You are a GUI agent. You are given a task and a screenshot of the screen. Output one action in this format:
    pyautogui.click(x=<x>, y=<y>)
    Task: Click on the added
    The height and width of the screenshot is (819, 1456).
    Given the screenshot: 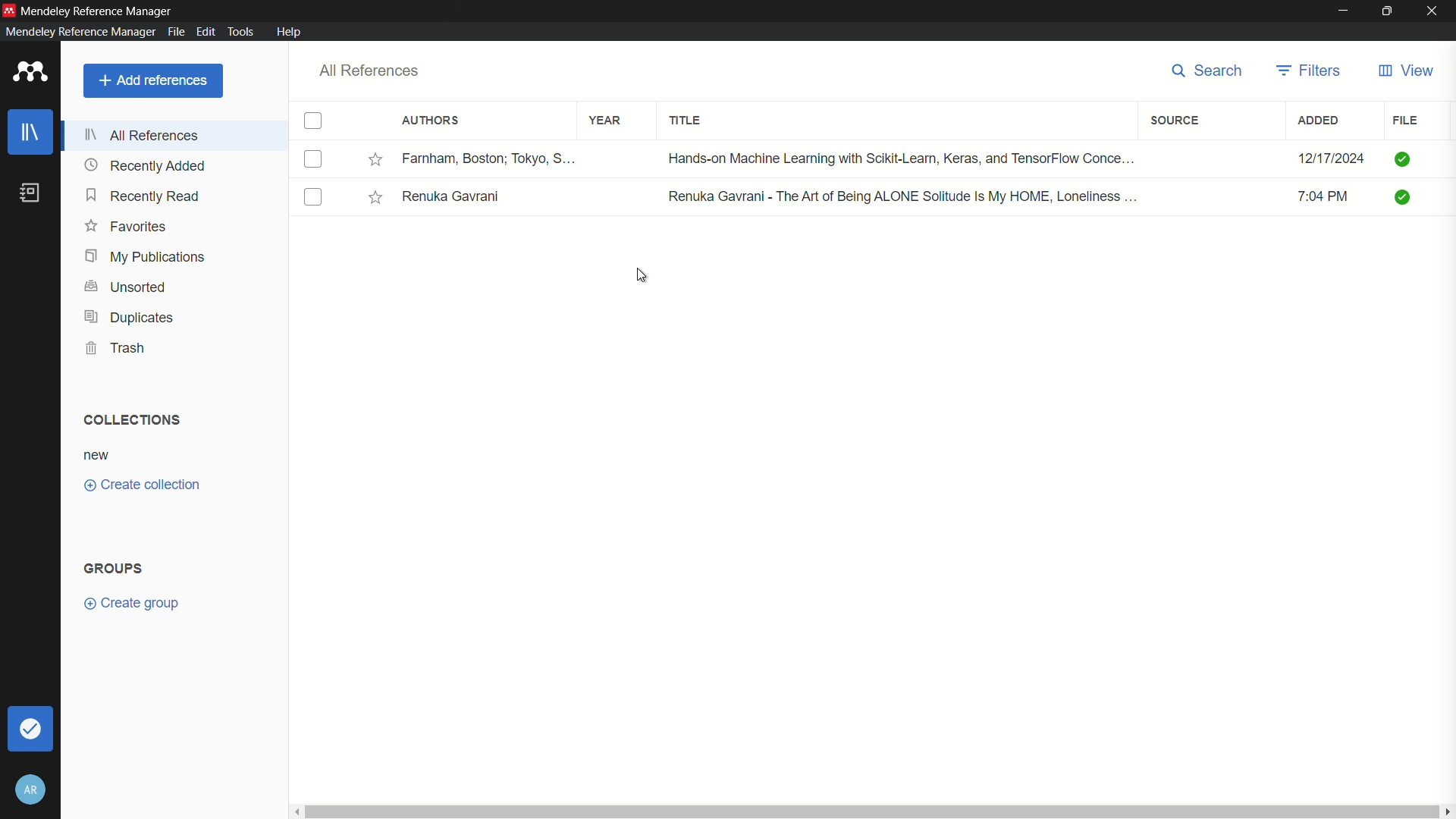 What is the action you would take?
    pyautogui.click(x=1319, y=121)
    